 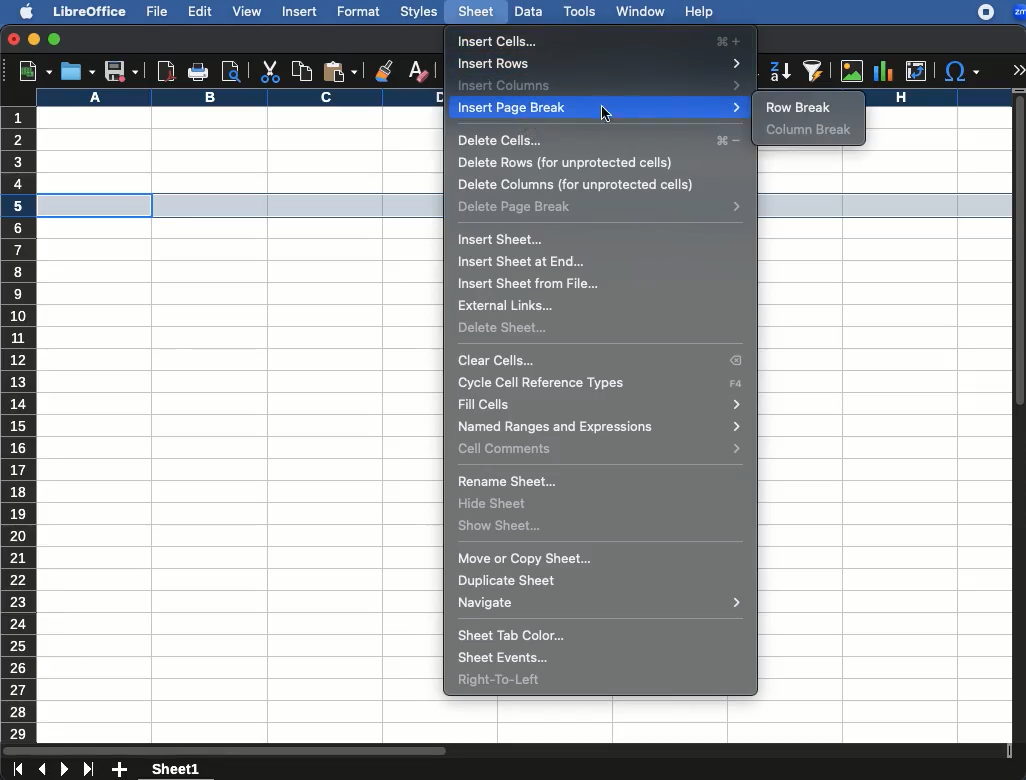 I want to click on cut, so click(x=271, y=71).